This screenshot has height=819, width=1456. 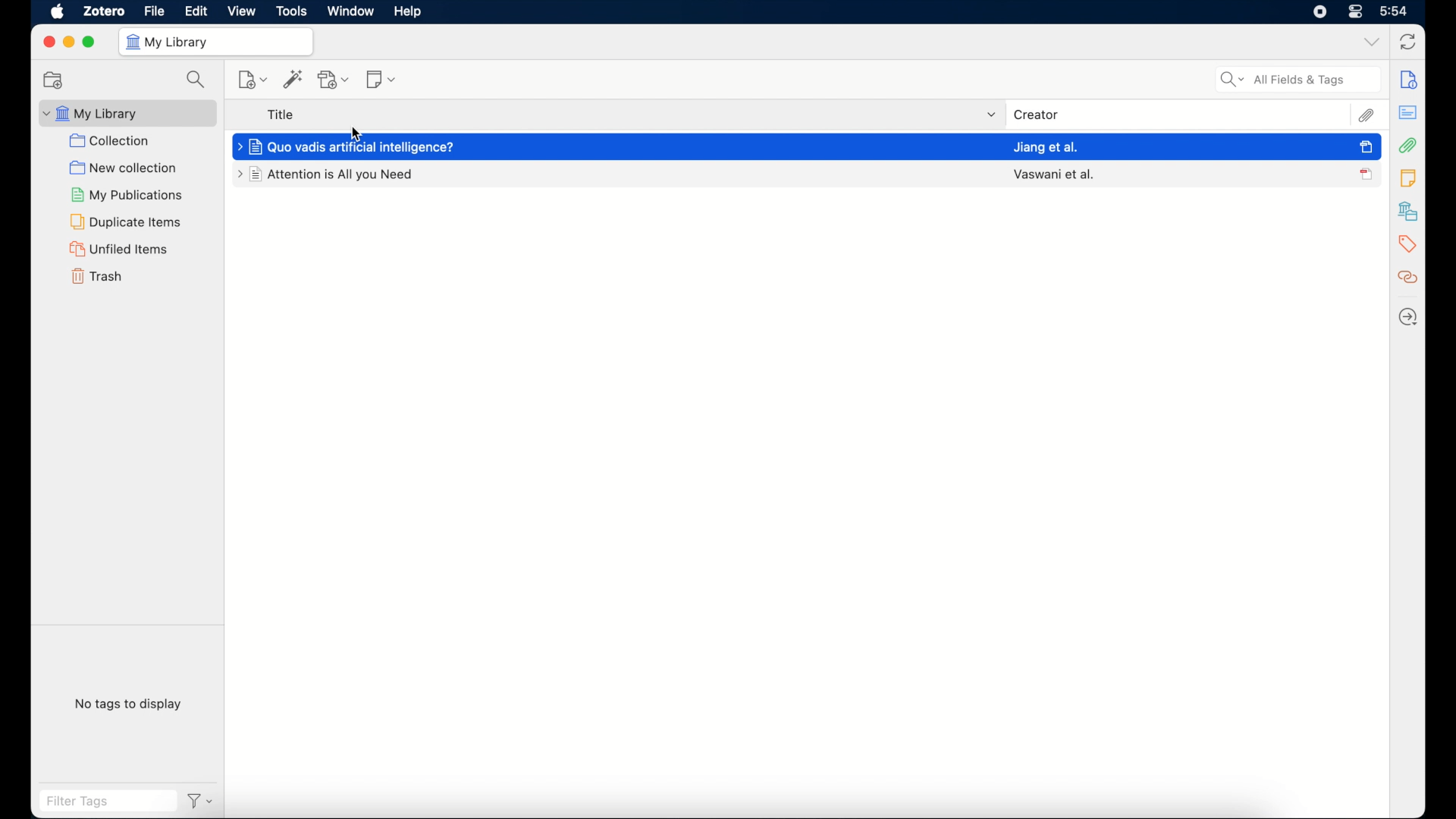 What do you see at coordinates (1406, 244) in the screenshot?
I see `tags` at bounding box center [1406, 244].